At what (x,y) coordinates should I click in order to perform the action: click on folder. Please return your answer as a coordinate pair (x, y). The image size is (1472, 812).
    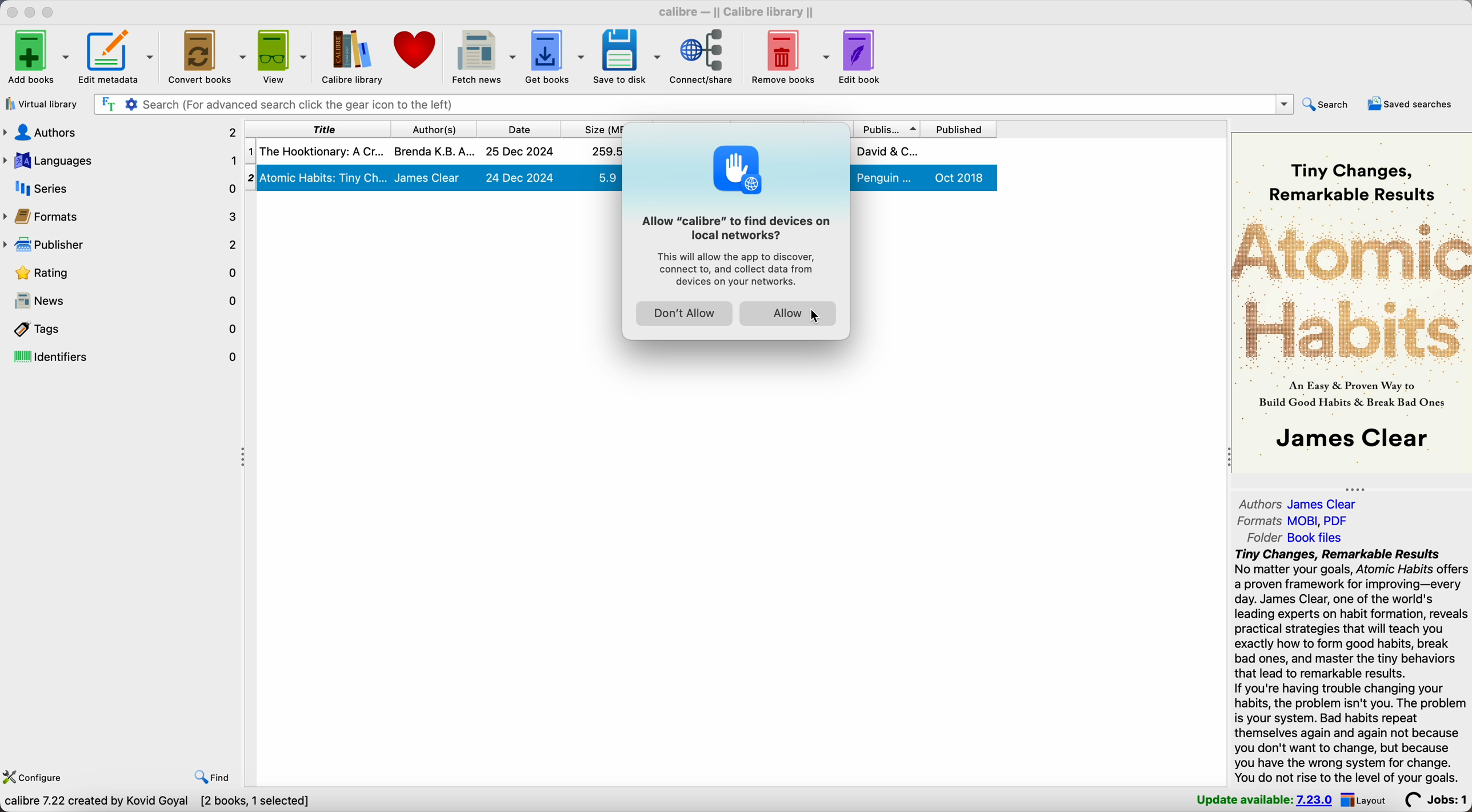
    Looking at the image, I should click on (1290, 538).